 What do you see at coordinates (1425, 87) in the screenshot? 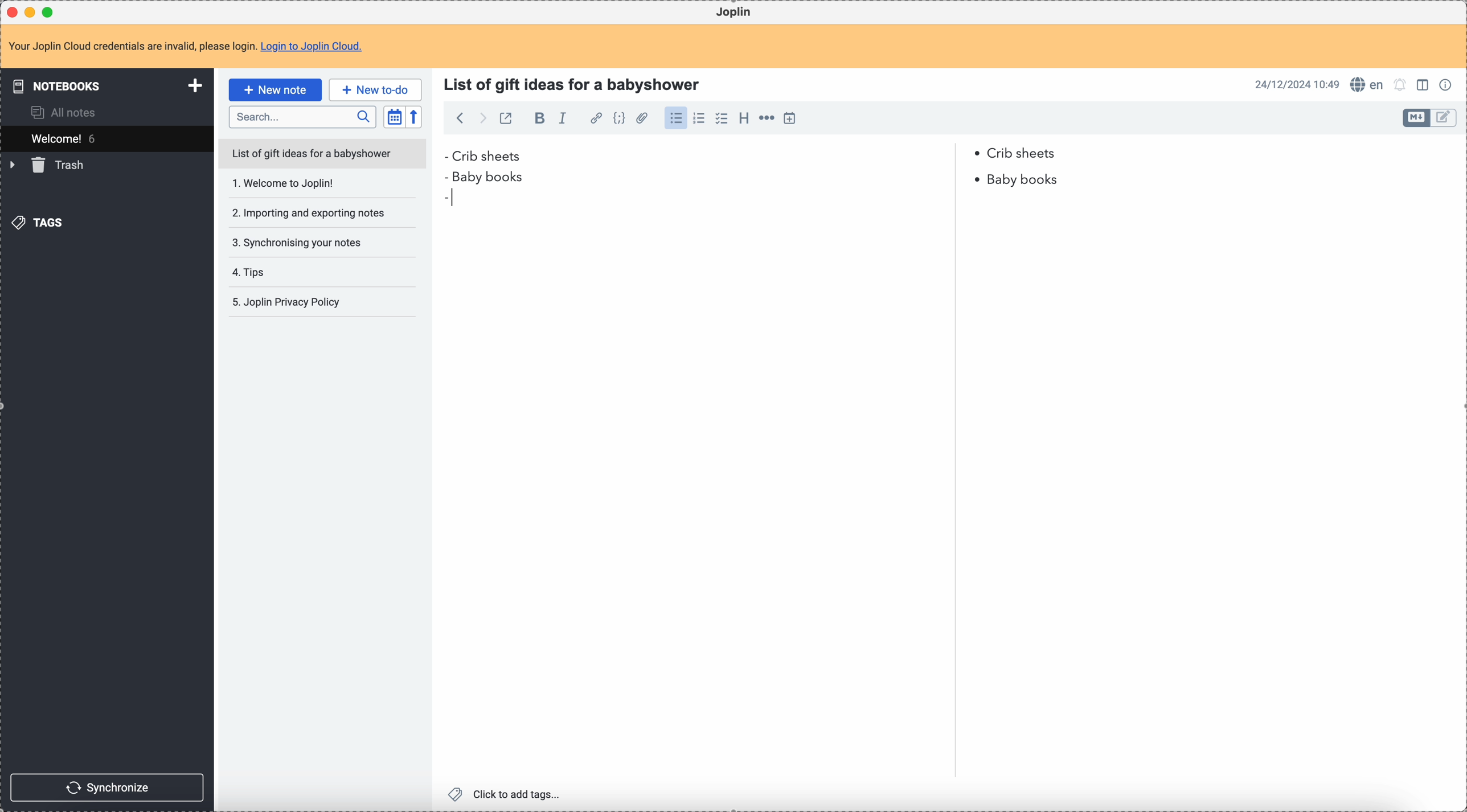
I see `toggle edit layout` at bounding box center [1425, 87].